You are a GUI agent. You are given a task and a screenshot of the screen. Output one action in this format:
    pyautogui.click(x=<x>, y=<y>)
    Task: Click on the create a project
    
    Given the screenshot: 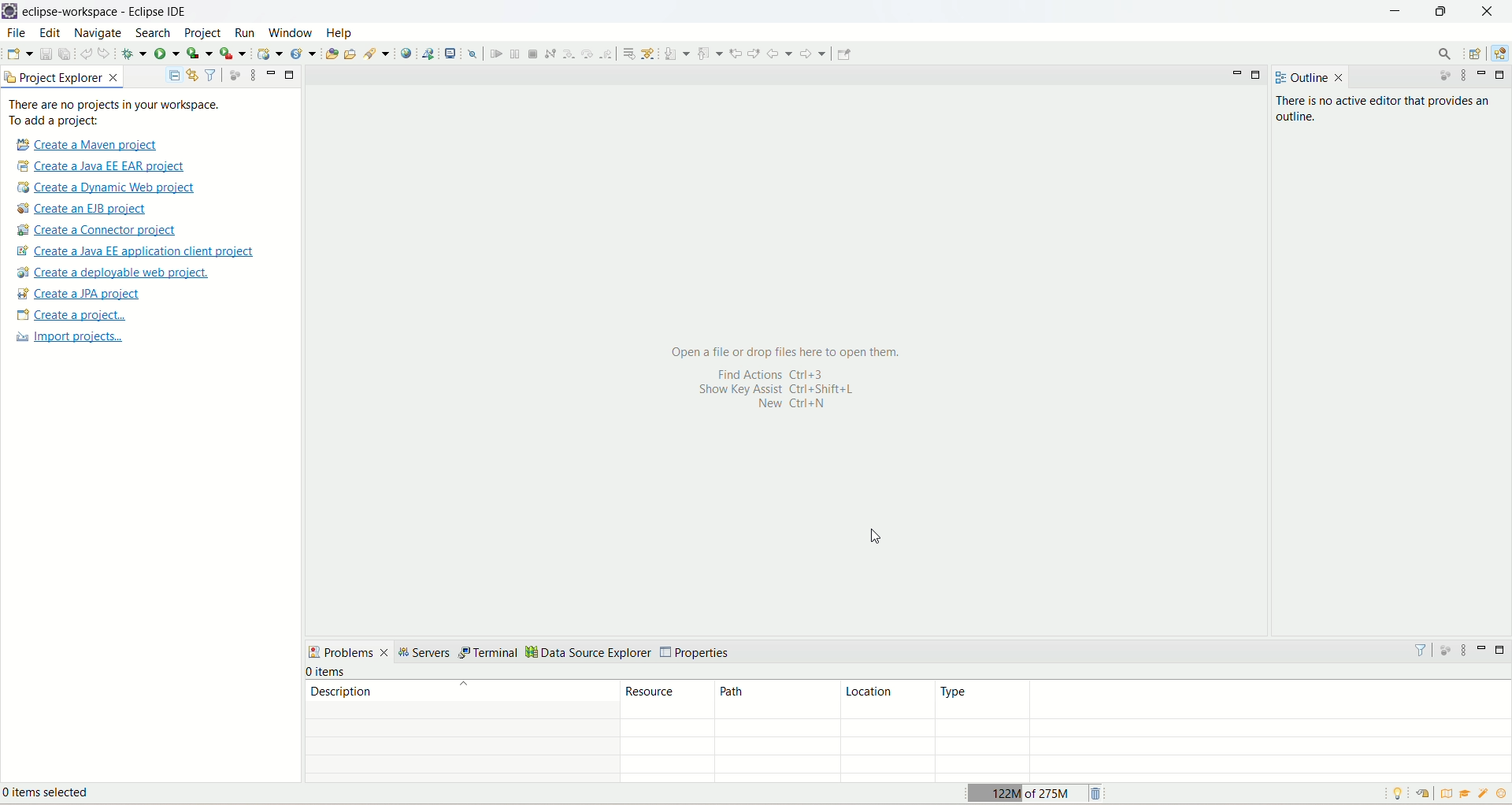 What is the action you would take?
    pyautogui.click(x=69, y=316)
    